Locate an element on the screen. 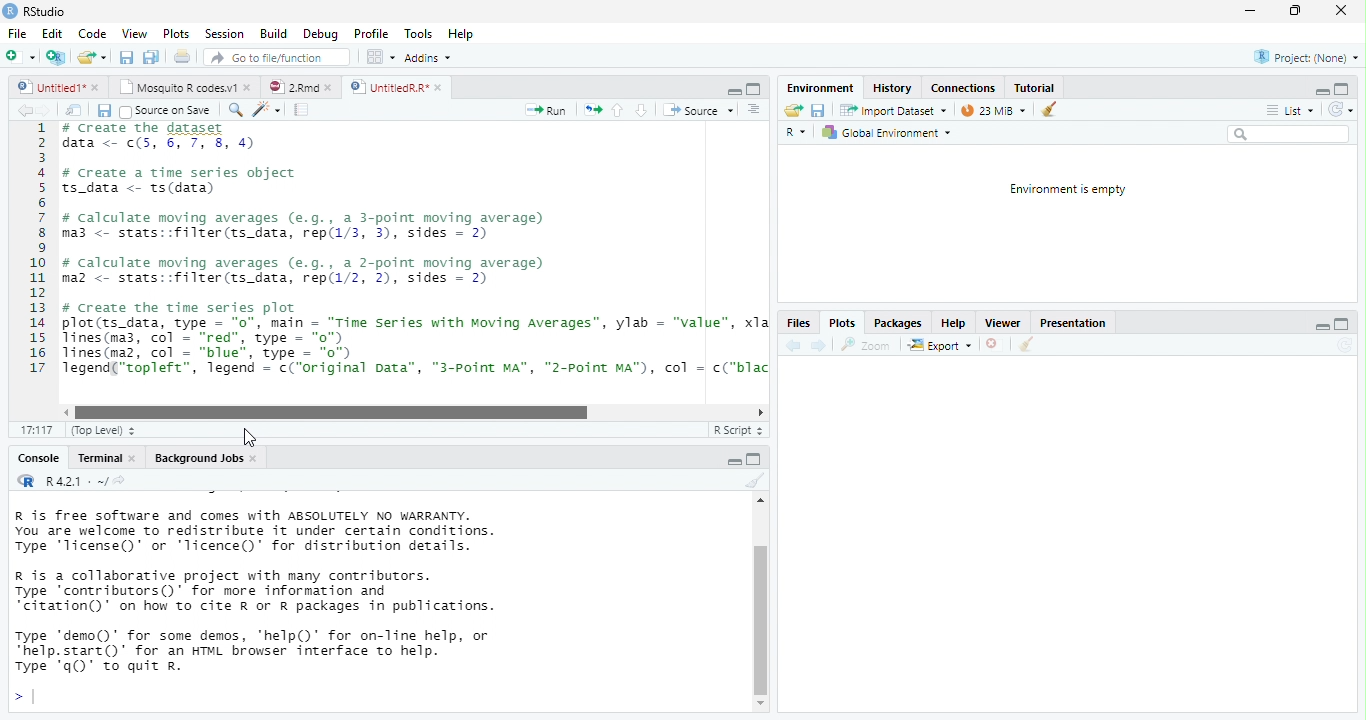 The width and height of the screenshot is (1366, 720). code tool is located at coordinates (268, 109).